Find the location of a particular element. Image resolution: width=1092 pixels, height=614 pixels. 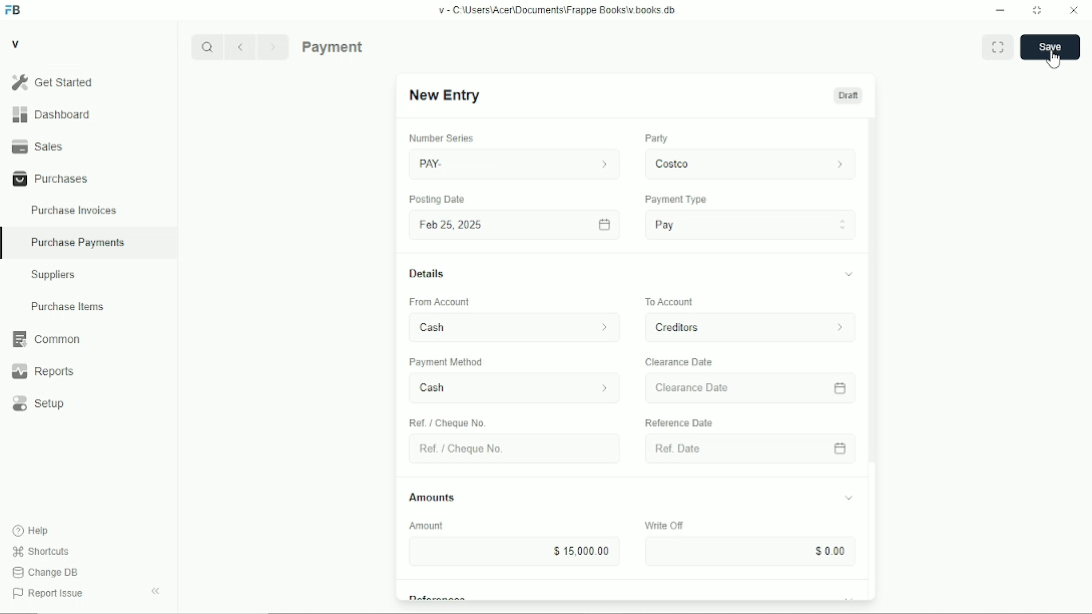

‘Reference Date is located at coordinates (682, 422).